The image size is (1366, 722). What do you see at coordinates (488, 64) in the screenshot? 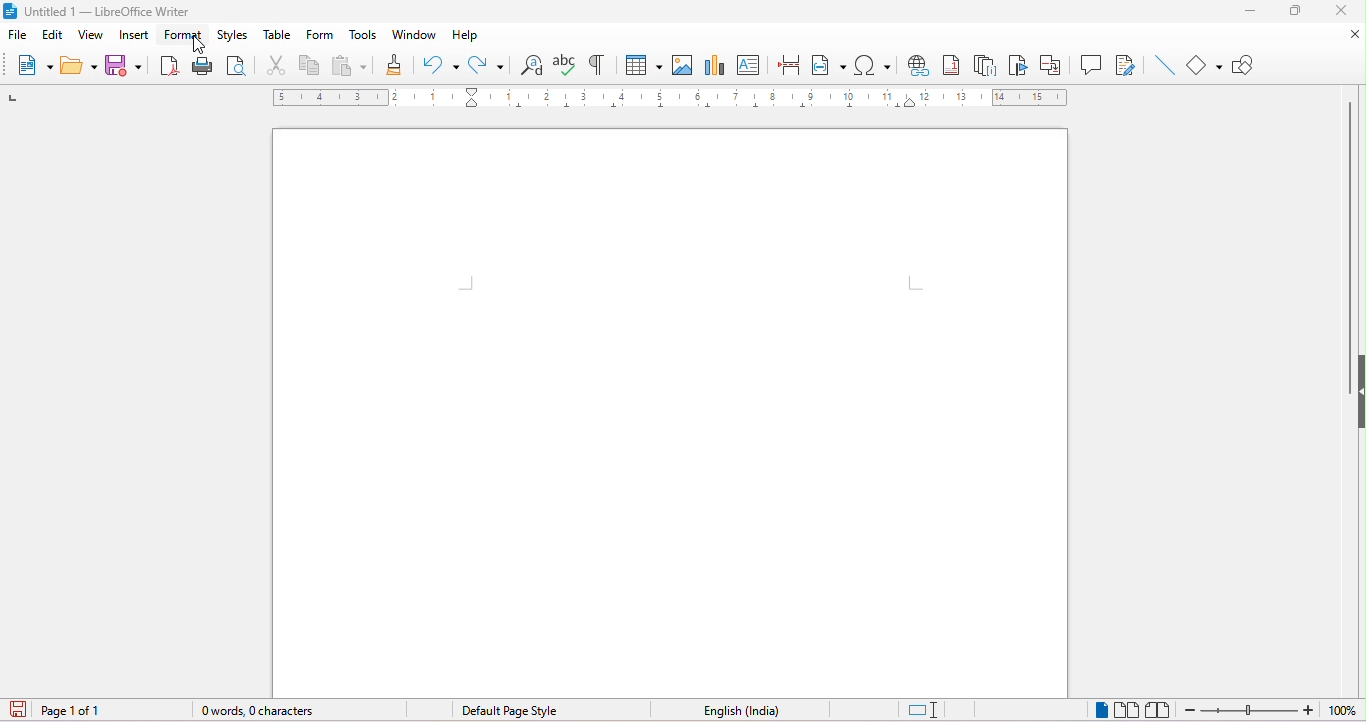
I see `redo` at bounding box center [488, 64].